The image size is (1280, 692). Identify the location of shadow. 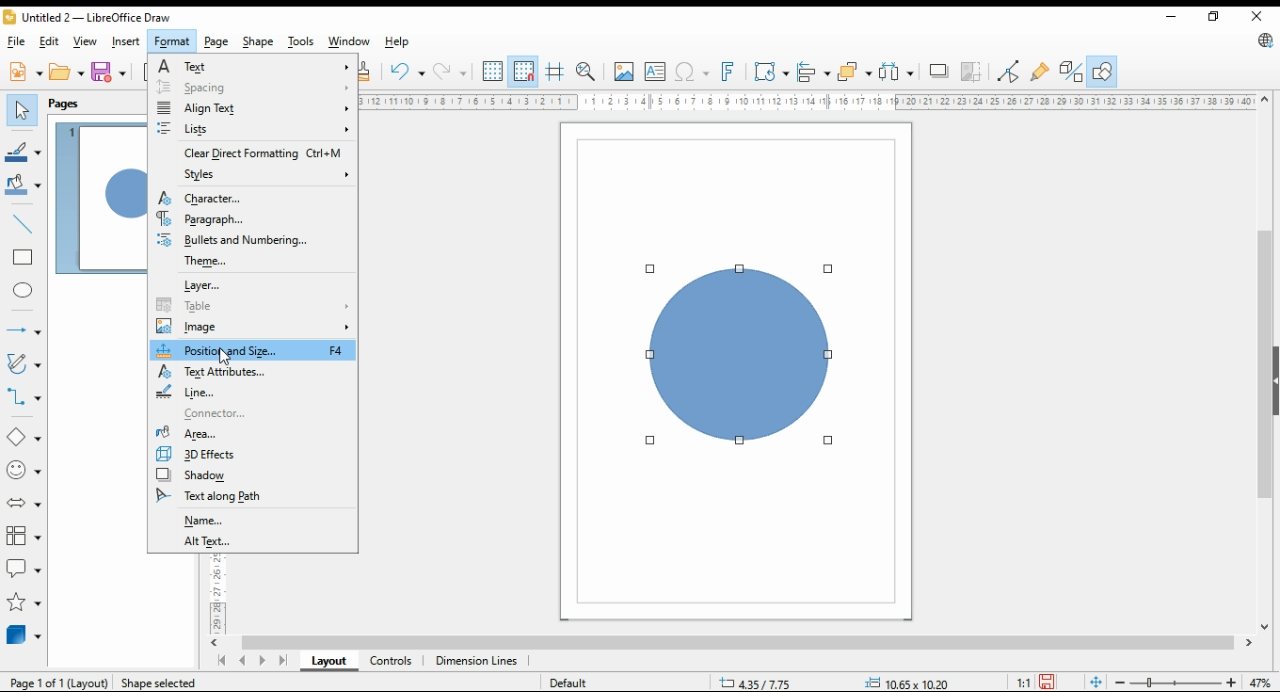
(936, 71).